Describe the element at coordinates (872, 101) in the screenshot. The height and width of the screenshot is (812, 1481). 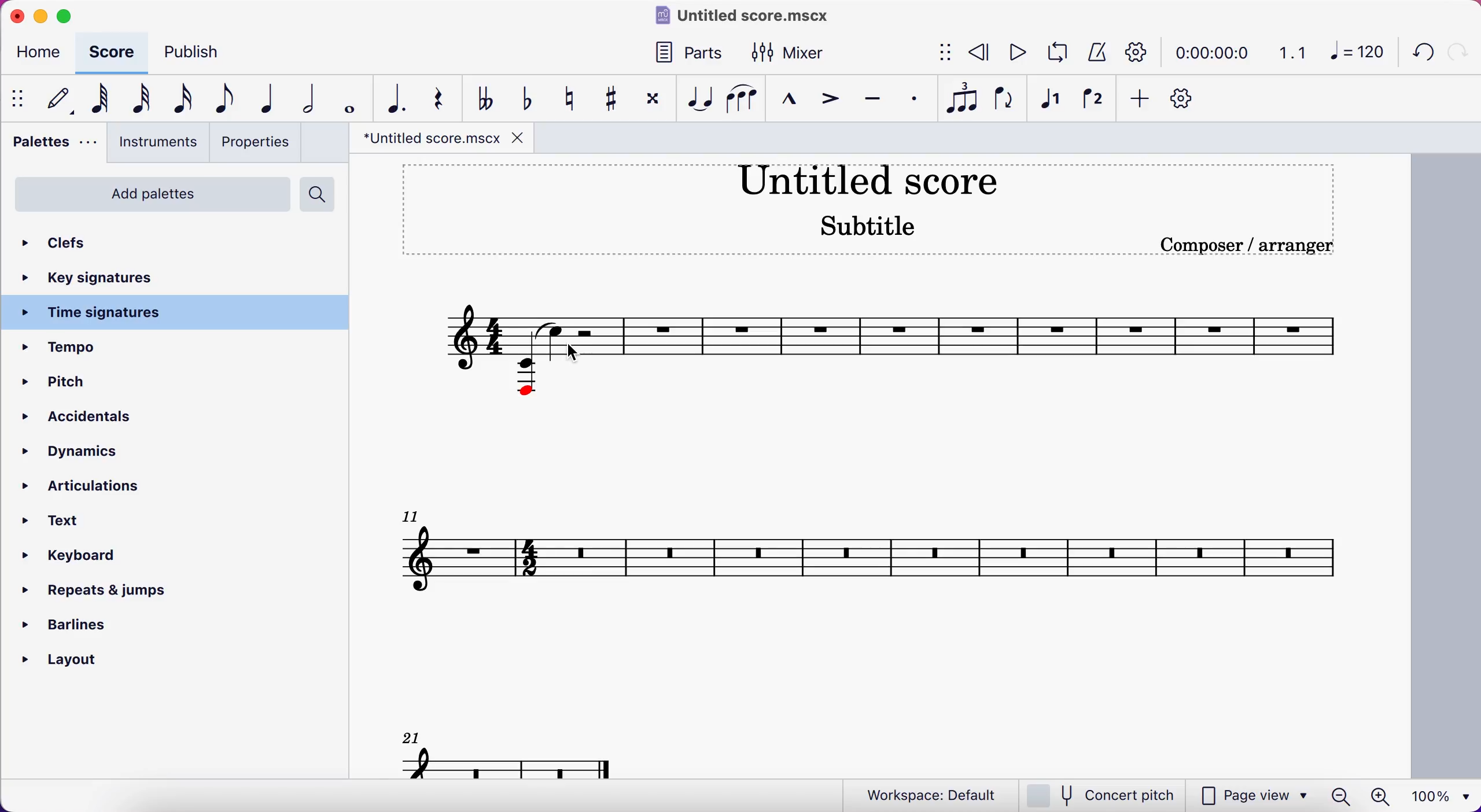
I see `tenuto` at that location.